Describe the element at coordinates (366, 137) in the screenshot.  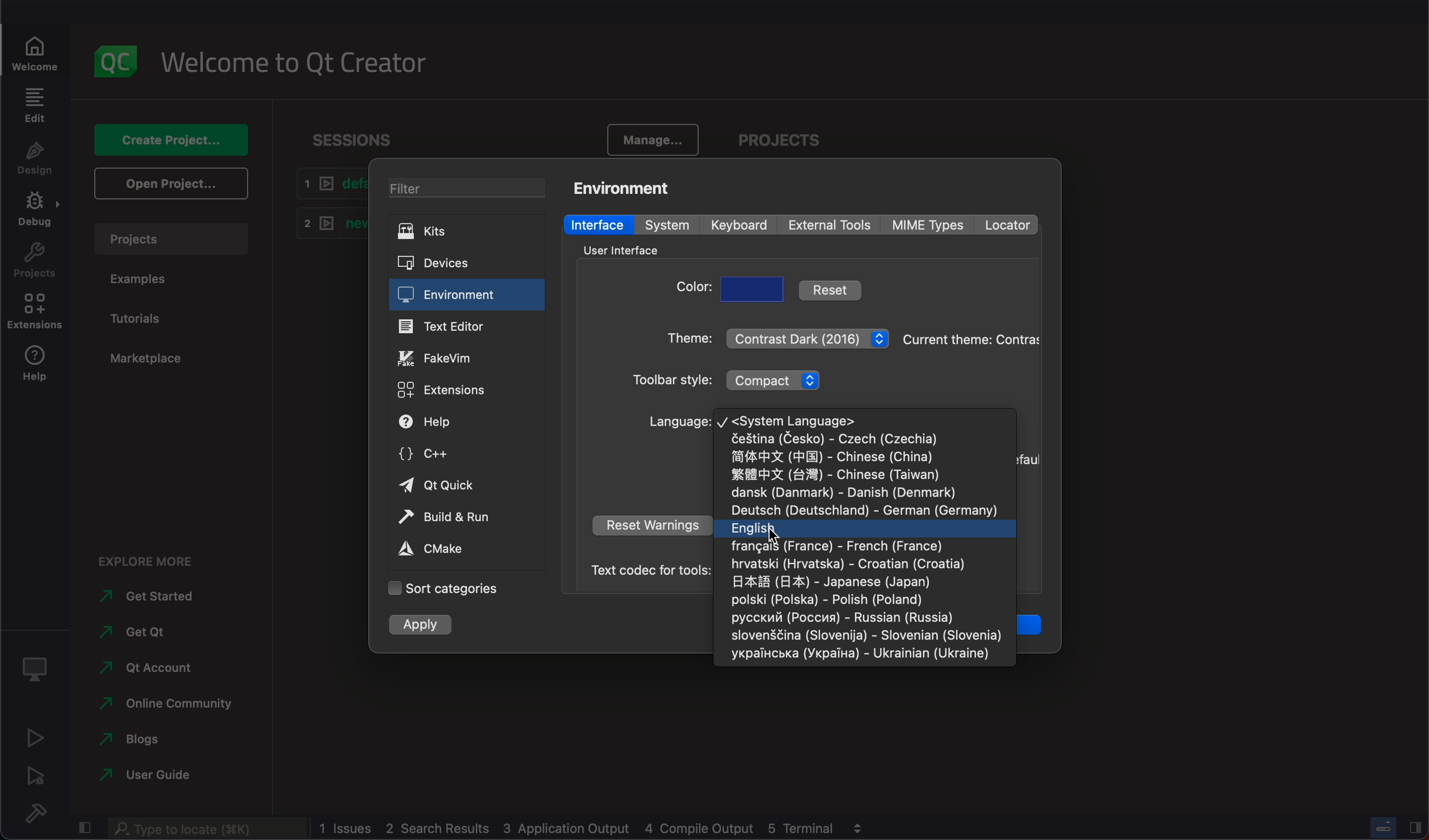
I see `sessions` at that location.